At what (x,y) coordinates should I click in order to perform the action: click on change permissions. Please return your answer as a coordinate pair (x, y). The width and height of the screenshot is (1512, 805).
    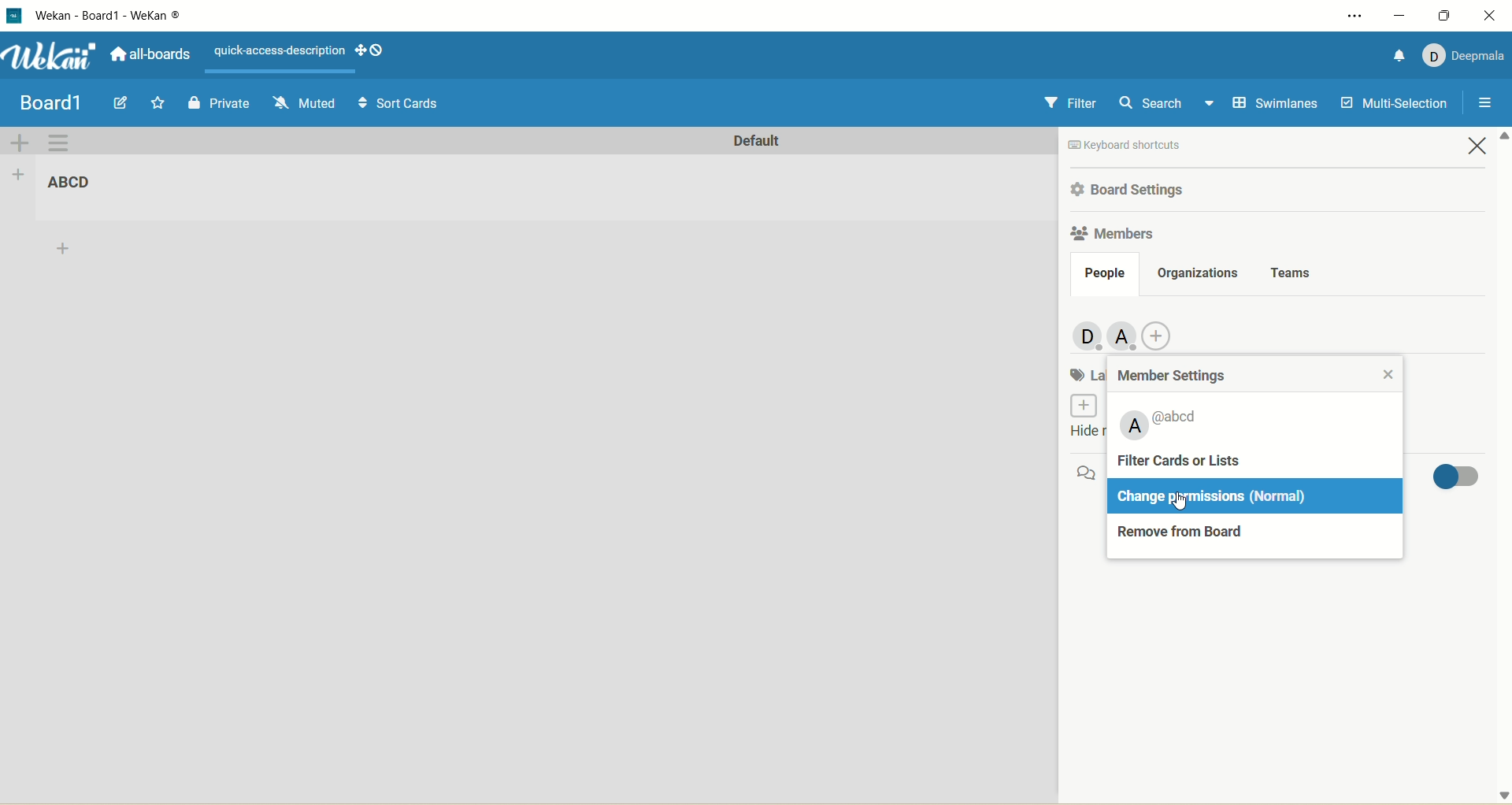
    Looking at the image, I should click on (1178, 495).